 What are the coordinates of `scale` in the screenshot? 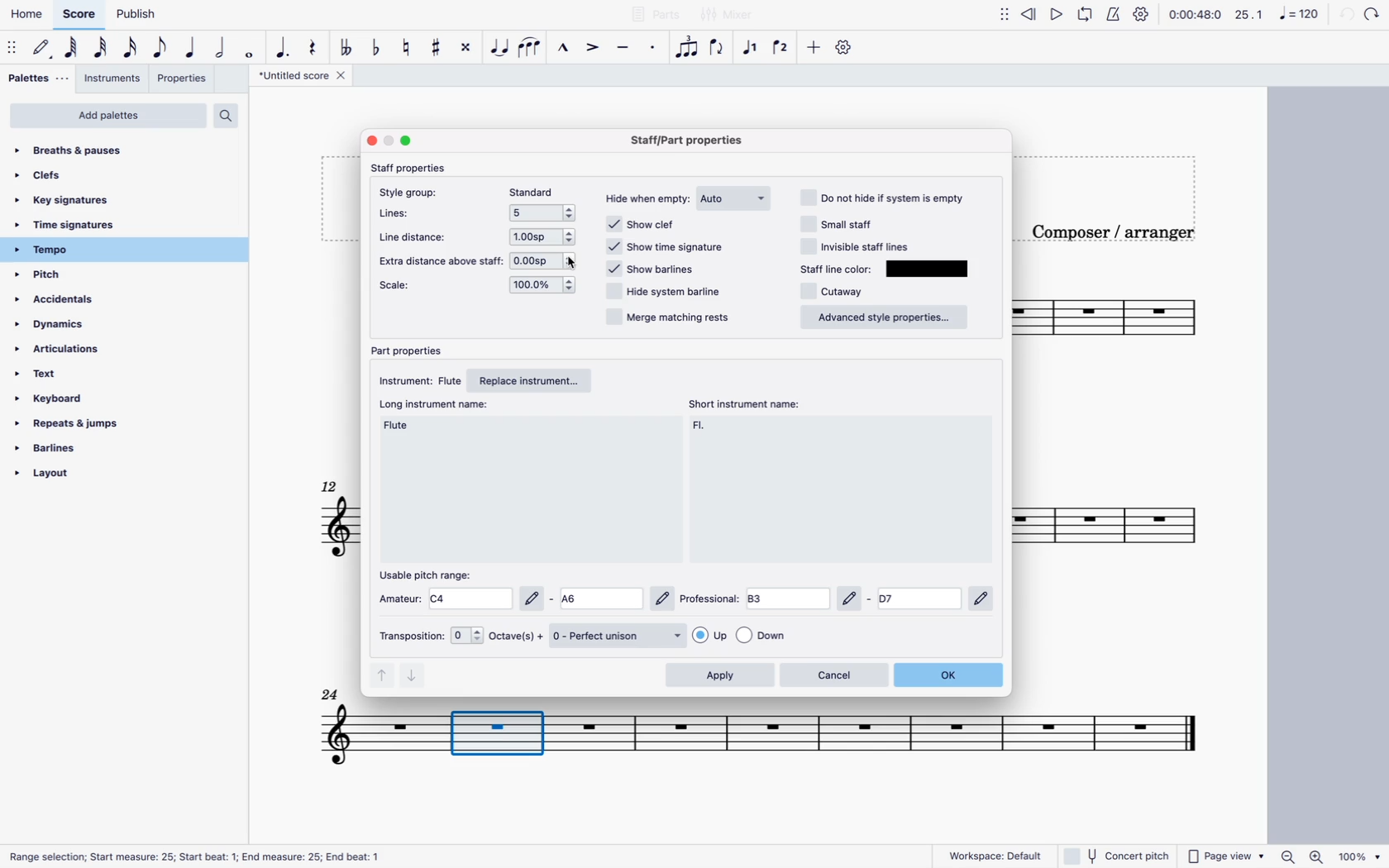 It's located at (400, 287).